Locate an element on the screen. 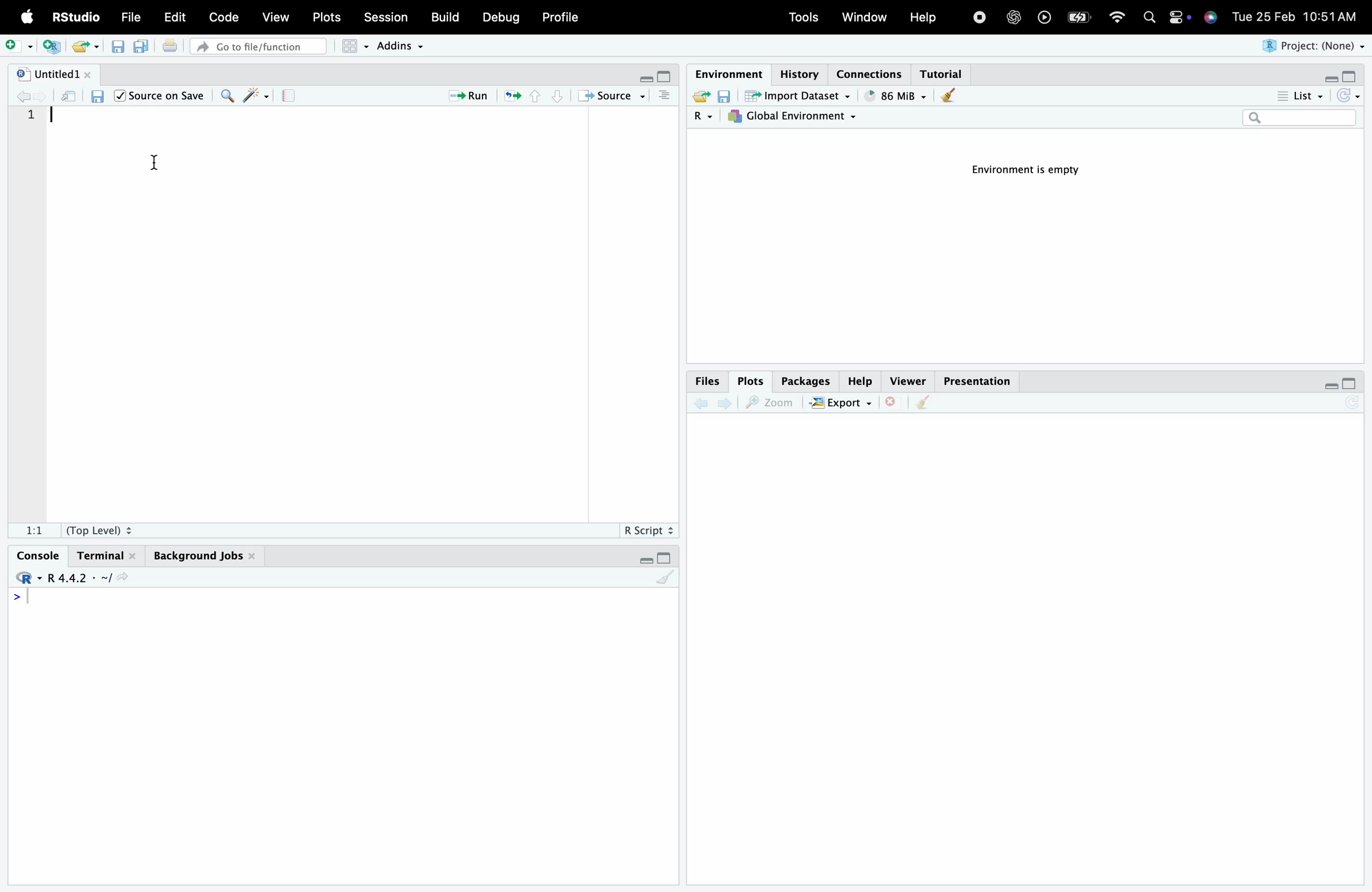 The image size is (1372, 892). "| Untitled1 is located at coordinates (55, 75).